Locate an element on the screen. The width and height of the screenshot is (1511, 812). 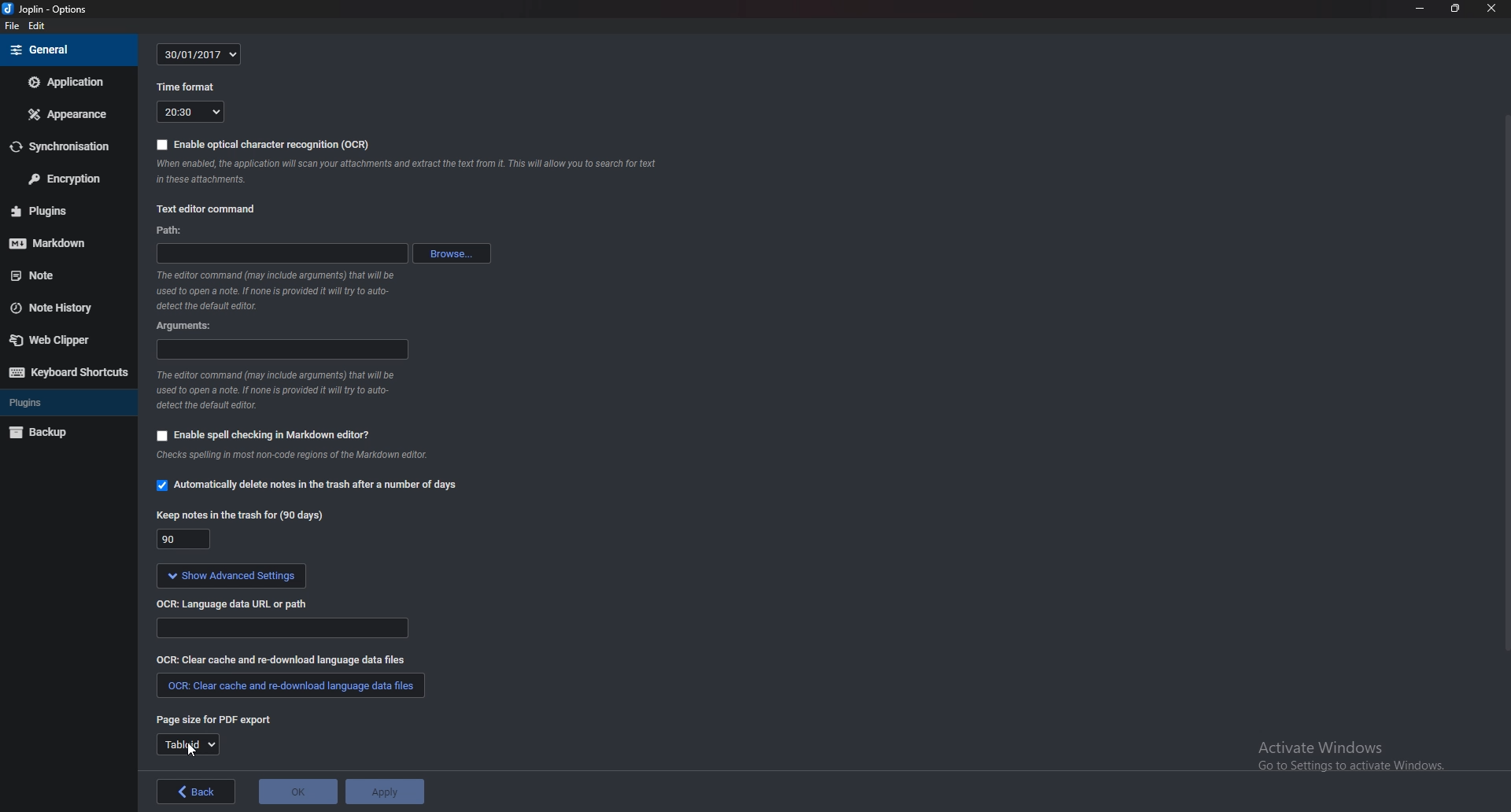
OCR language data url or path is located at coordinates (242, 604).